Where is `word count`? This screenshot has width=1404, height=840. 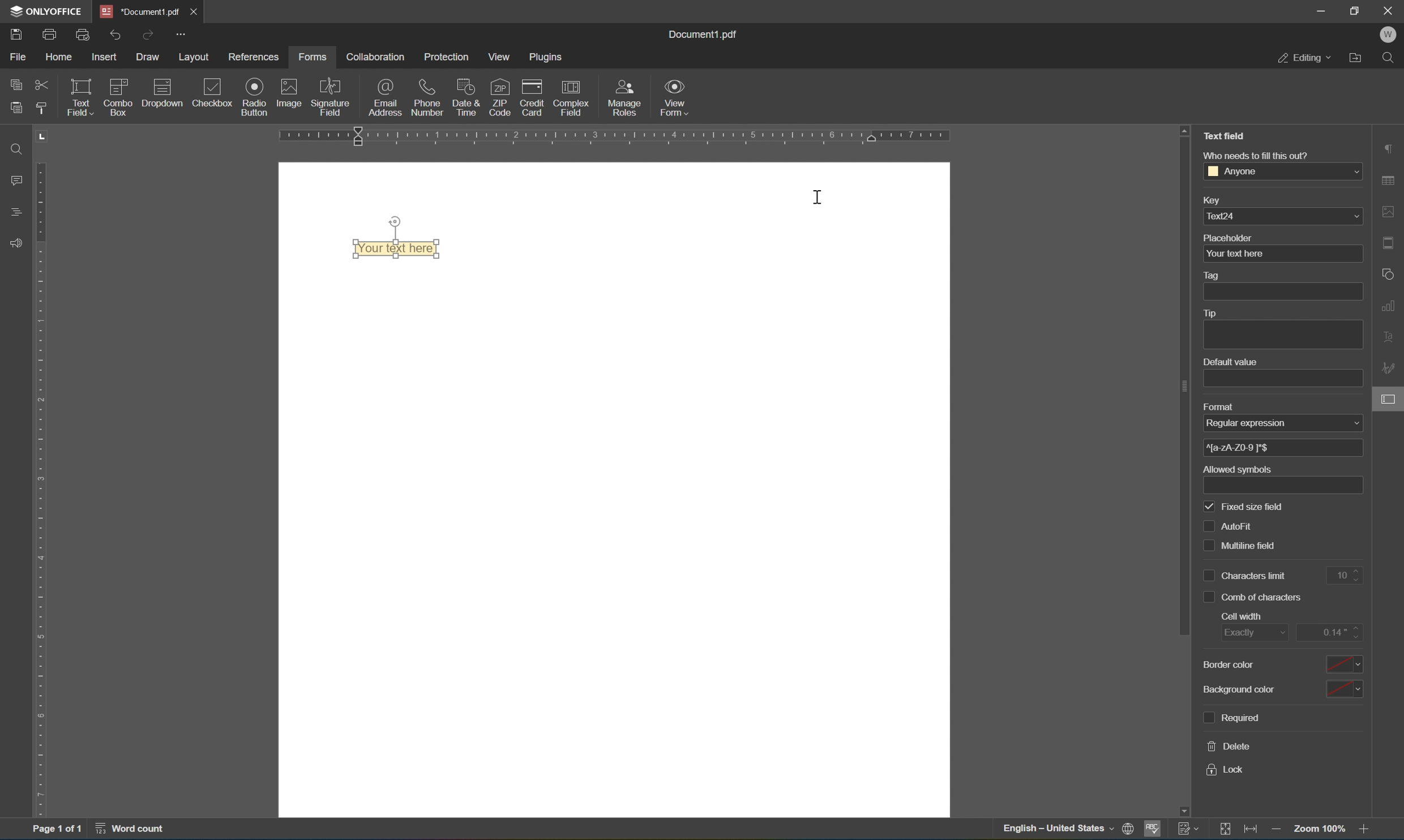 word count is located at coordinates (136, 830).